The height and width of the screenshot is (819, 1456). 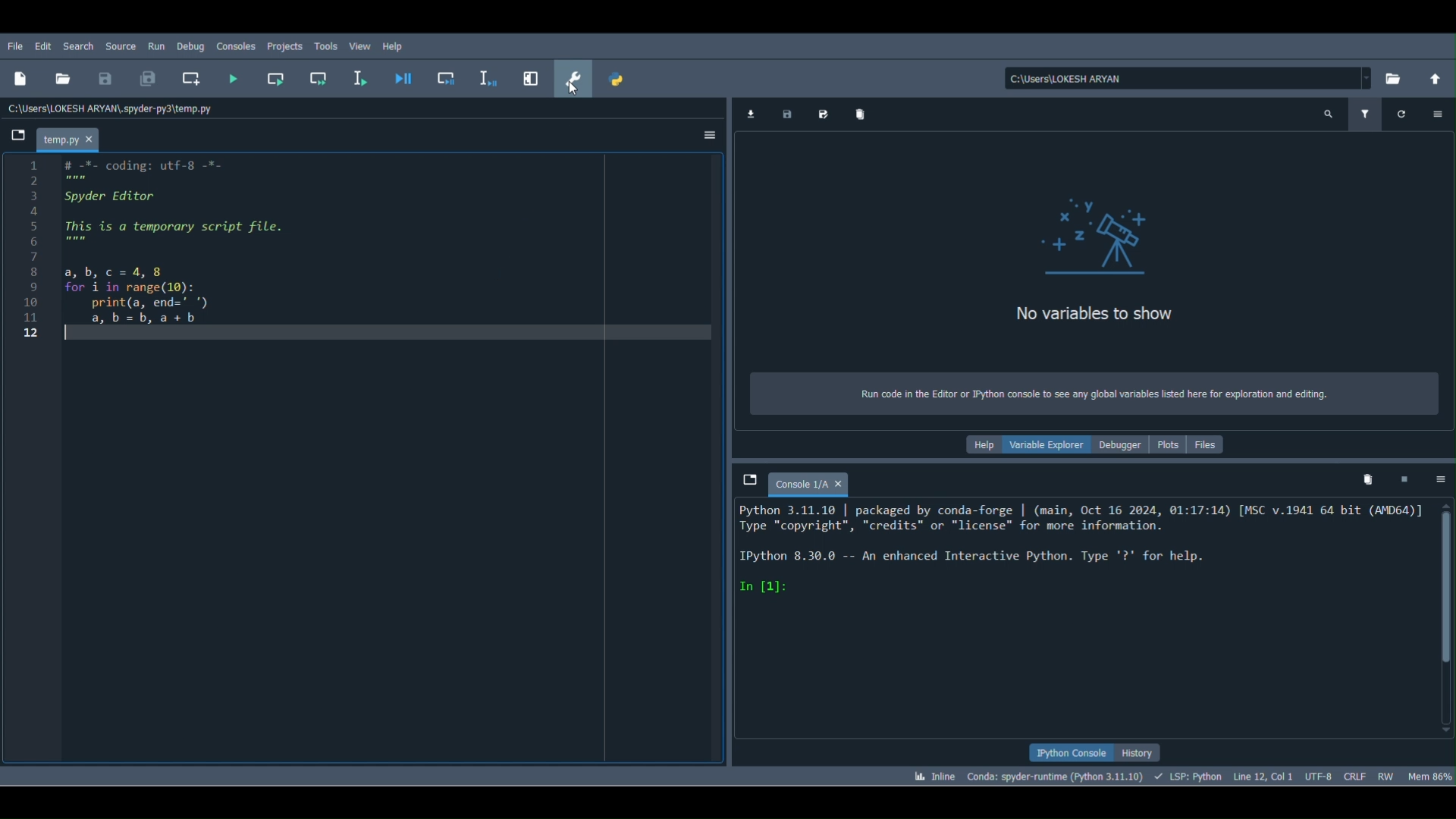 What do you see at coordinates (409, 78) in the screenshot?
I see `Debug file ( Ctrl + F5)` at bounding box center [409, 78].